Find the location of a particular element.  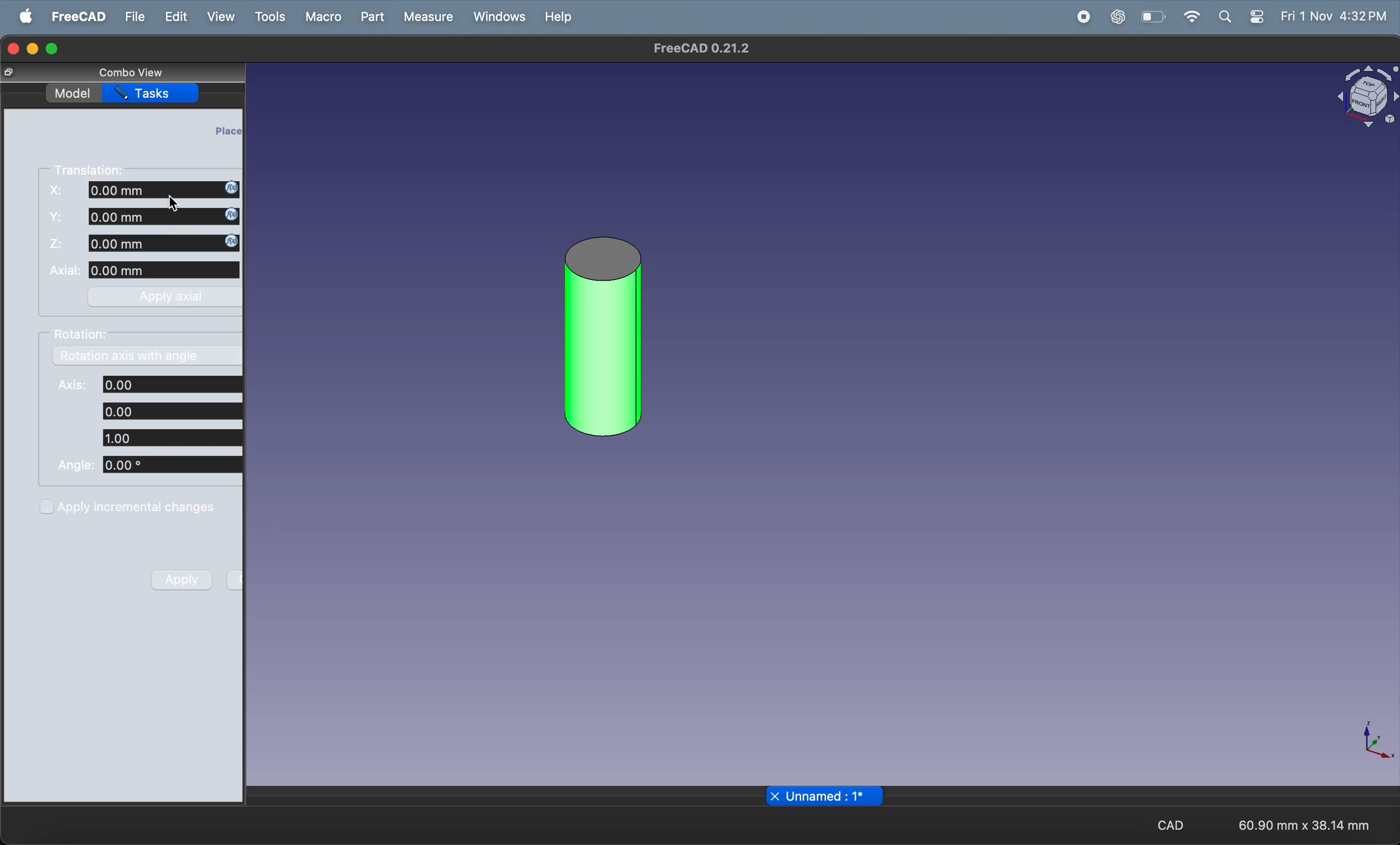

part is located at coordinates (370, 16).